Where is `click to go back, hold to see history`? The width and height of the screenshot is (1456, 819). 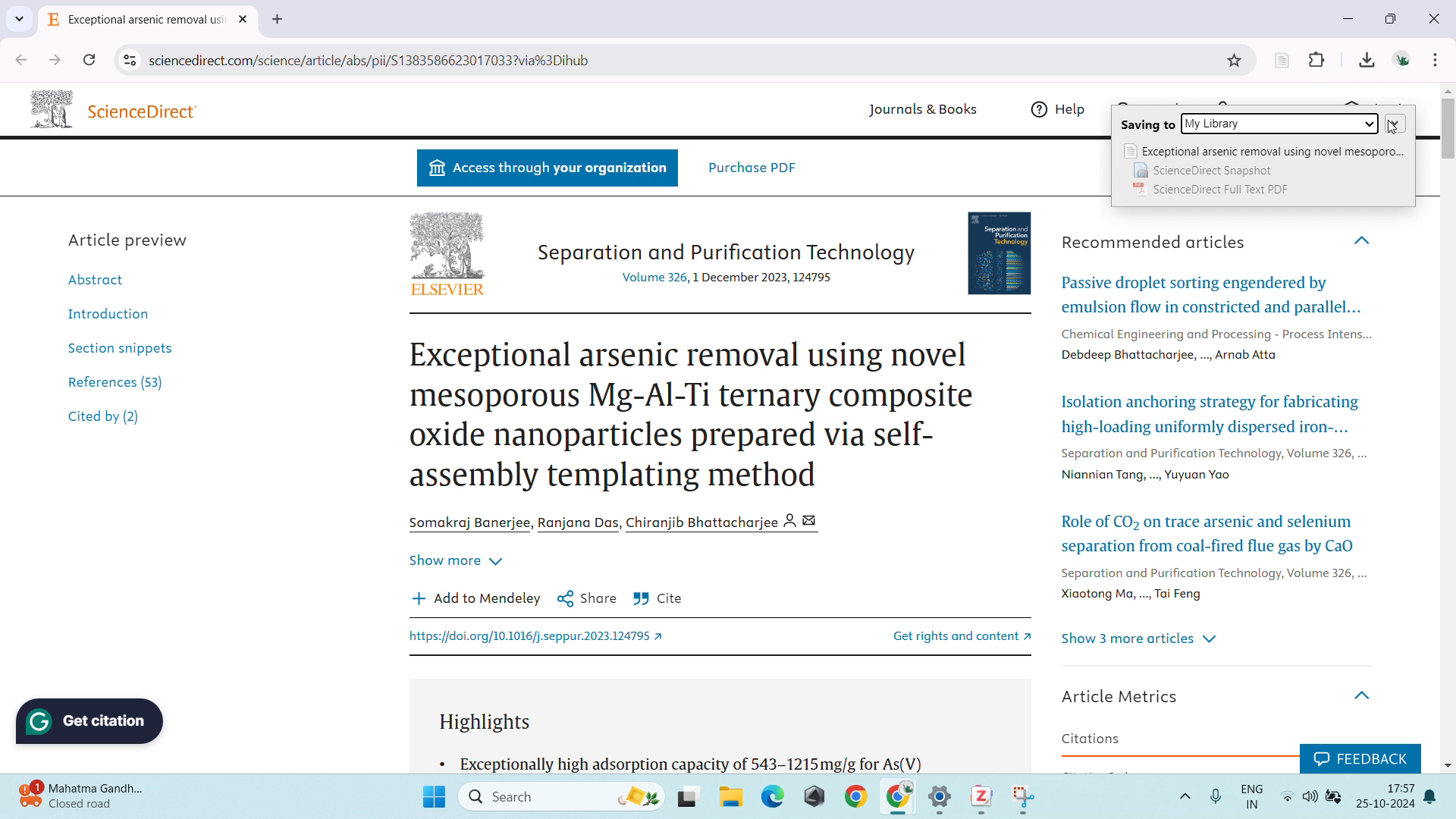
click to go back, hold to see history is located at coordinates (20, 59).